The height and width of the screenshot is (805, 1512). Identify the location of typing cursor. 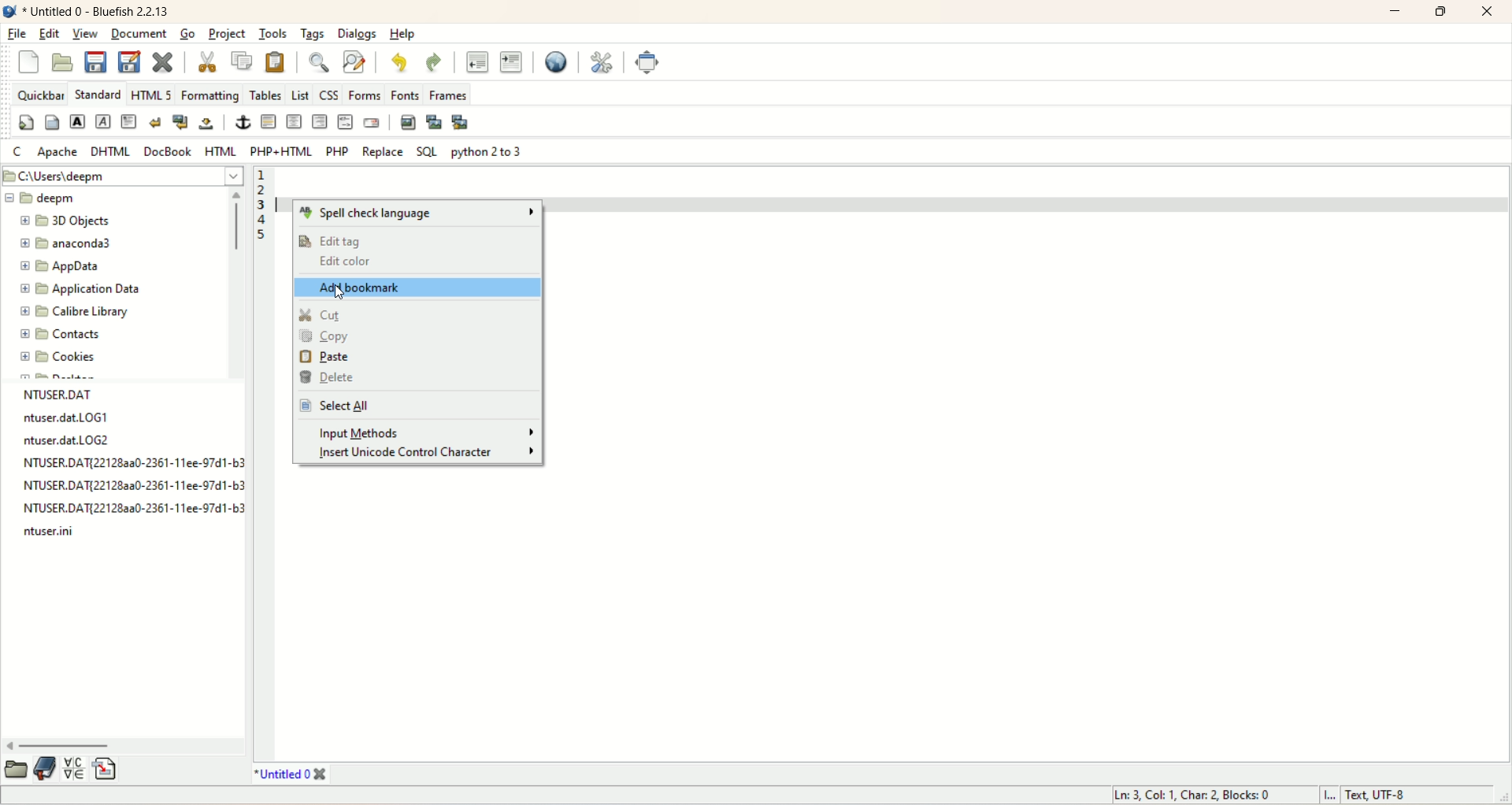
(282, 204).